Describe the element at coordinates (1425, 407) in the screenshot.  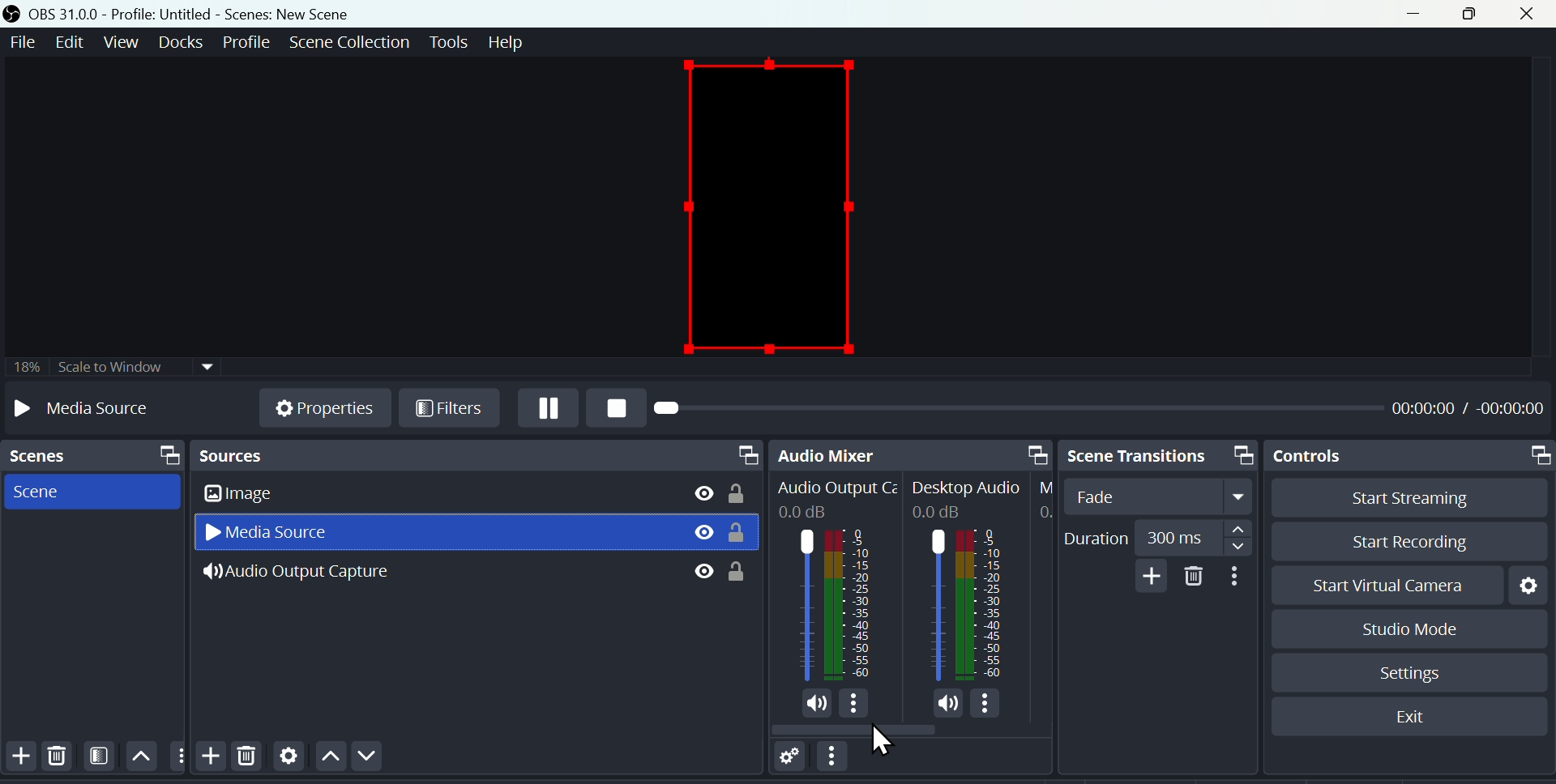
I see `Start TIme` at that location.